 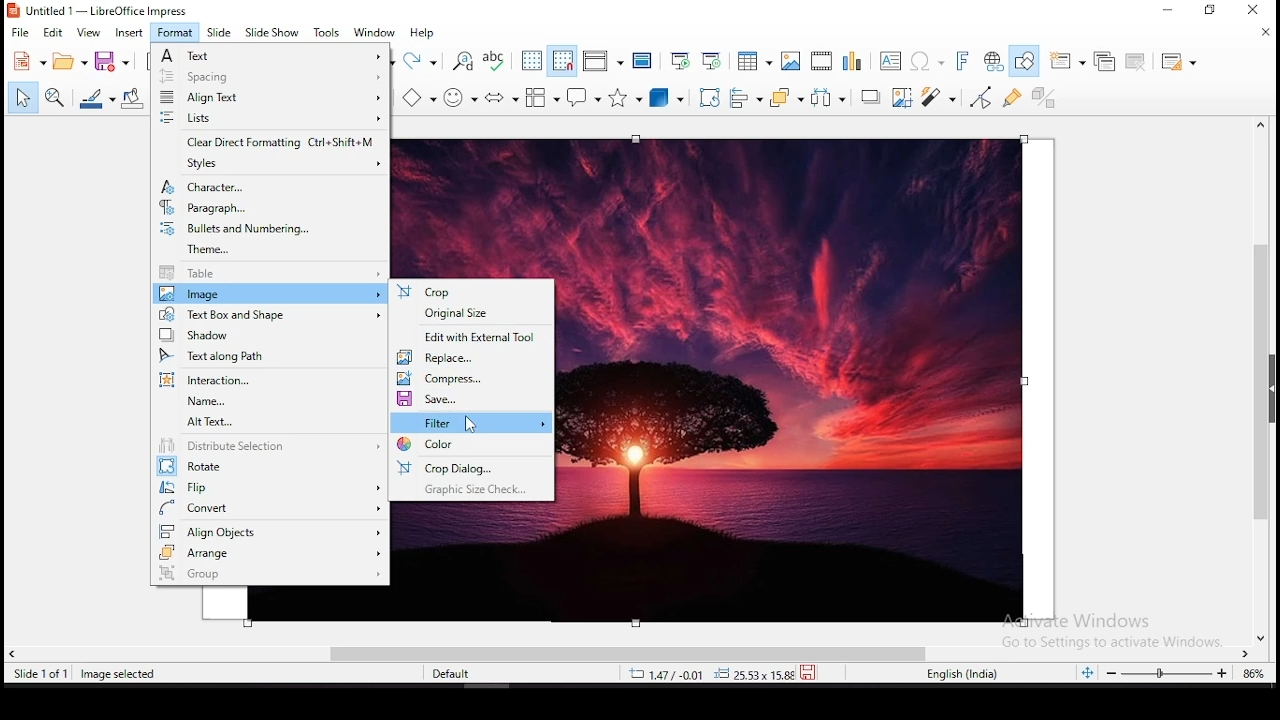 I want to click on new tool, so click(x=28, y=64).